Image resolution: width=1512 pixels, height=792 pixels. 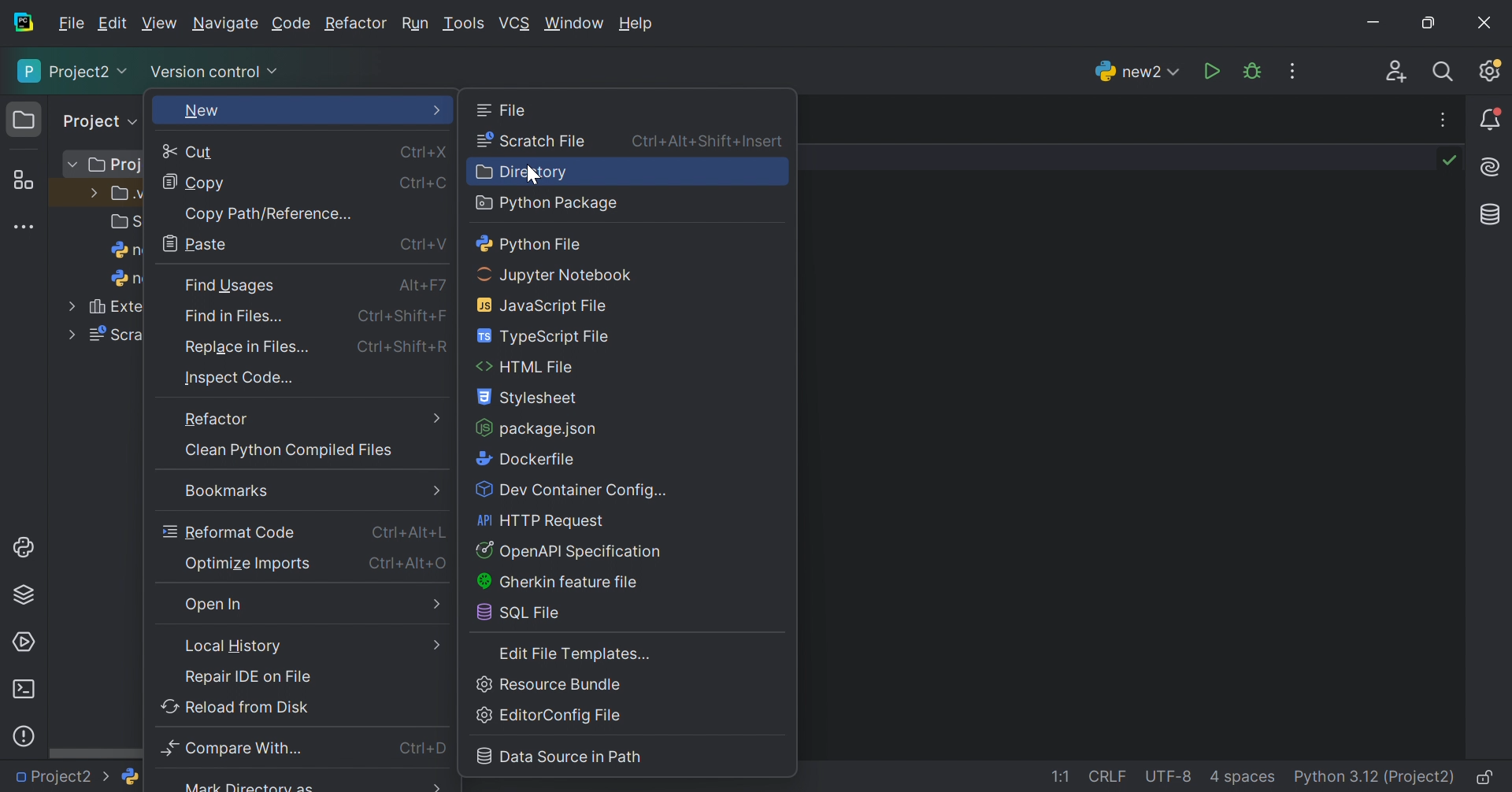 I want to click on Exte, so click(x=113, y=305).